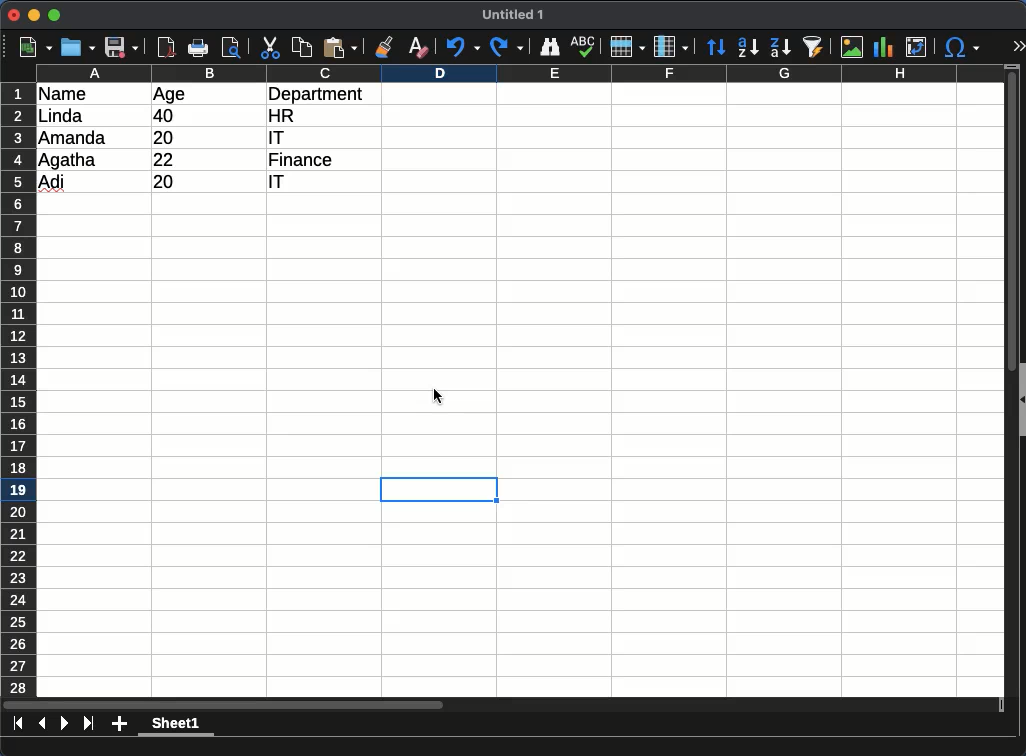  I want to click on paste, so click(340, 47).